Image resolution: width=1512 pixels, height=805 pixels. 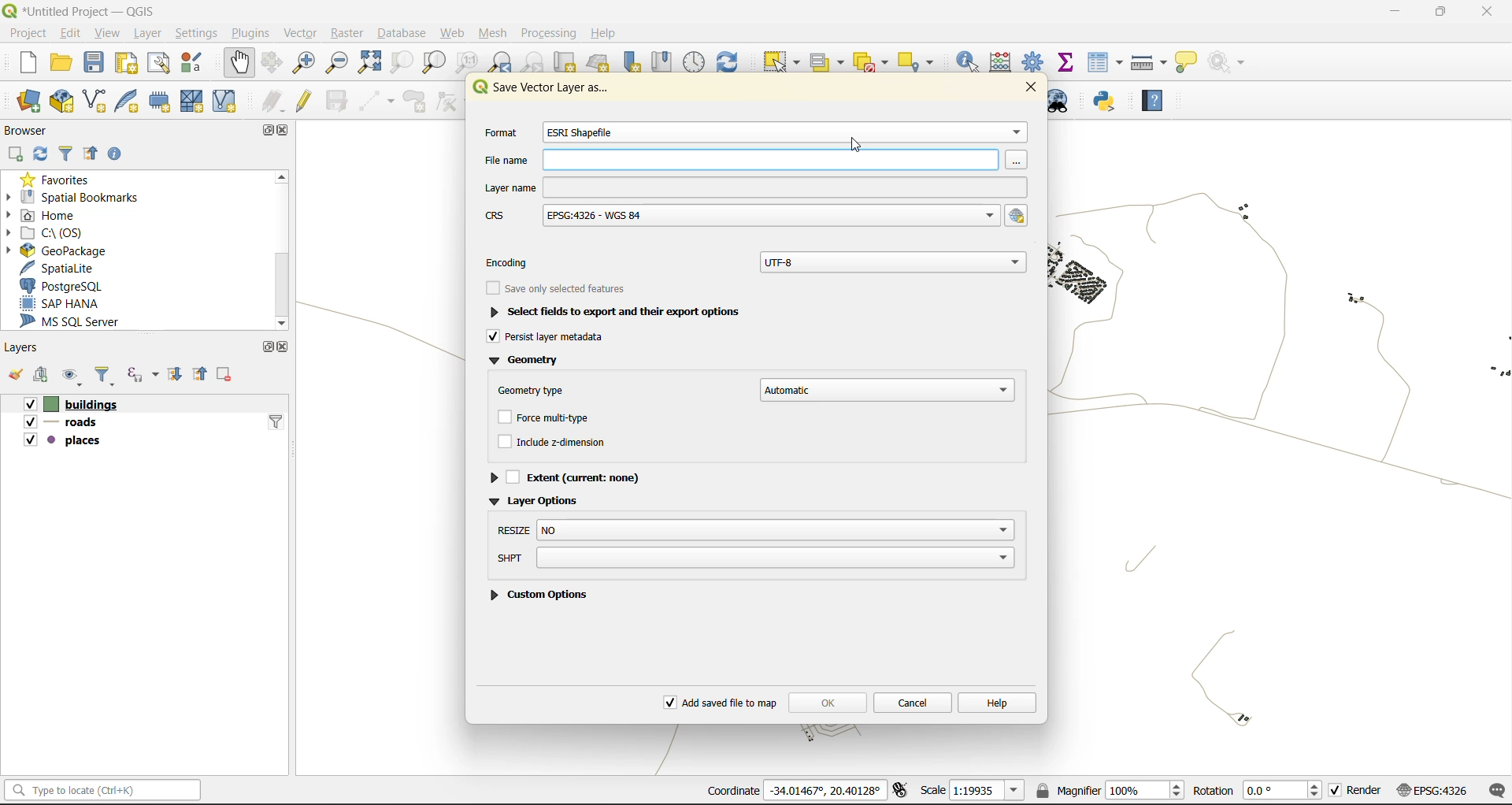 What do you see at coordinates (43, 154) in the screenshot?
I see `refresh` at bounding box center [43, 154].